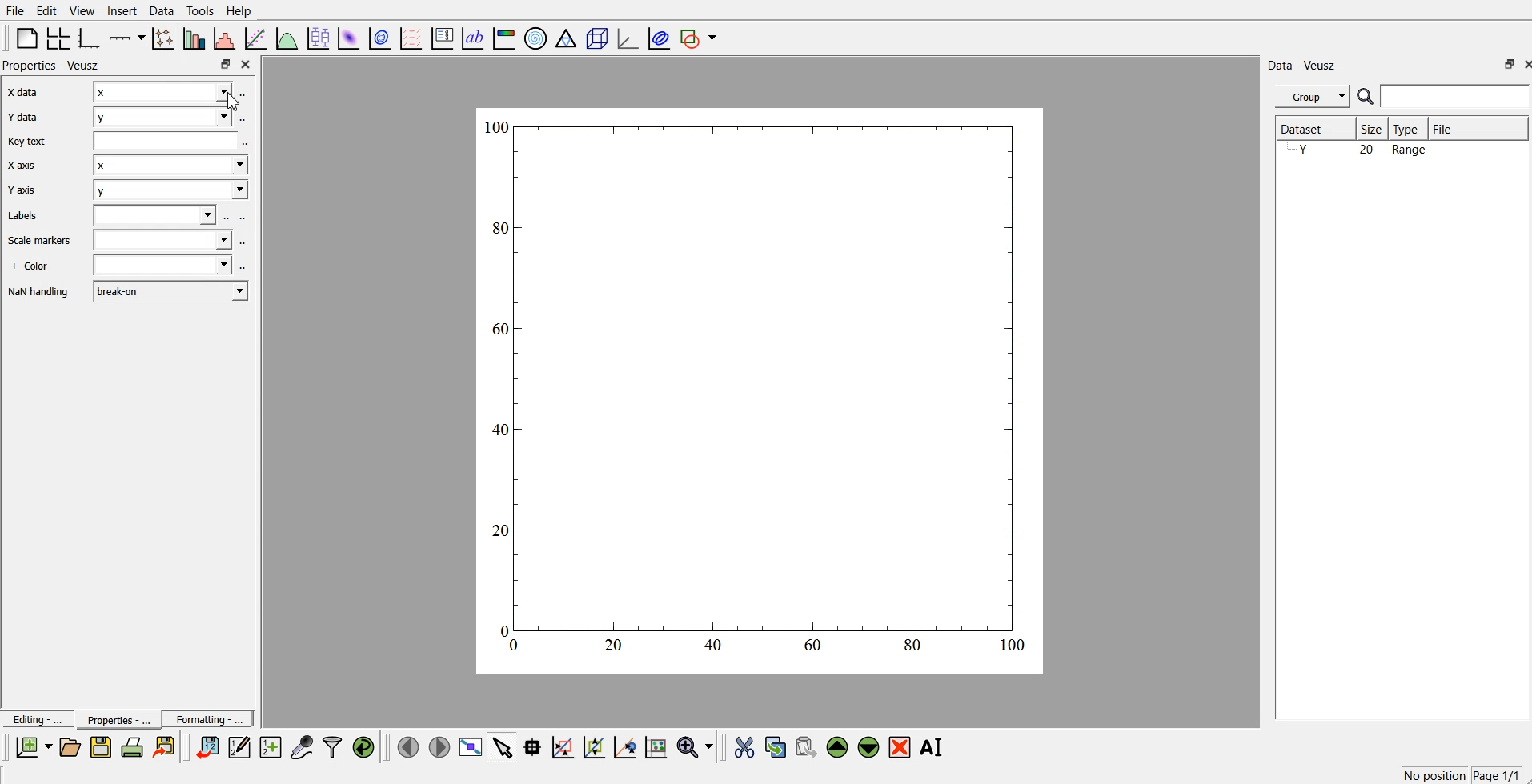  What do you see at coordinates (82, 10) in the screenshot?
I see `View` at bounding box center [82, 10].